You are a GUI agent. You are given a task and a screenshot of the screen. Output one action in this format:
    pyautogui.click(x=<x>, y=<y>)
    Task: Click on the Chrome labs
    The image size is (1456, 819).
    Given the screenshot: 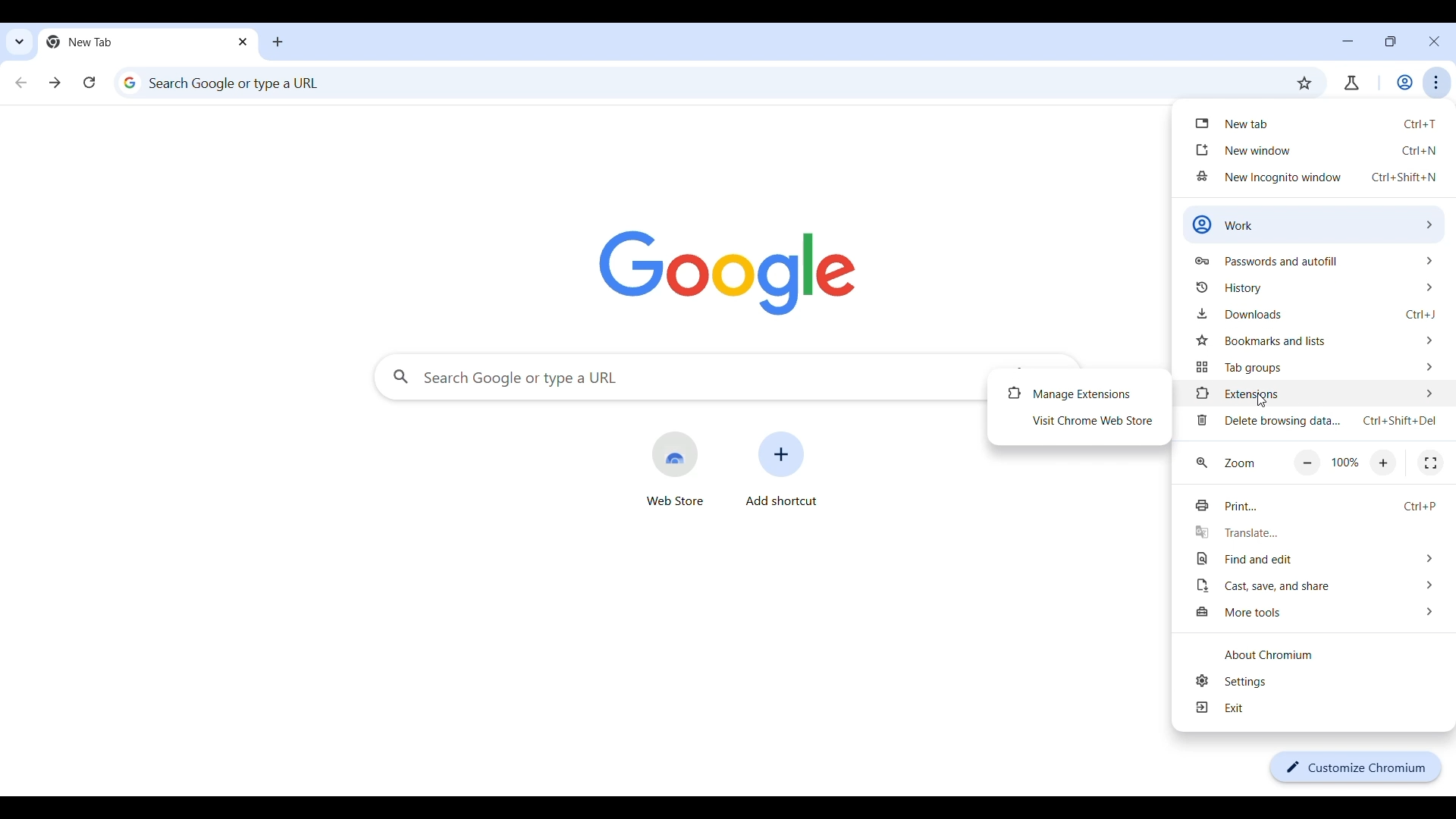 What is the action you would take?
    pyautogui.click(x=1351, y=83)
    